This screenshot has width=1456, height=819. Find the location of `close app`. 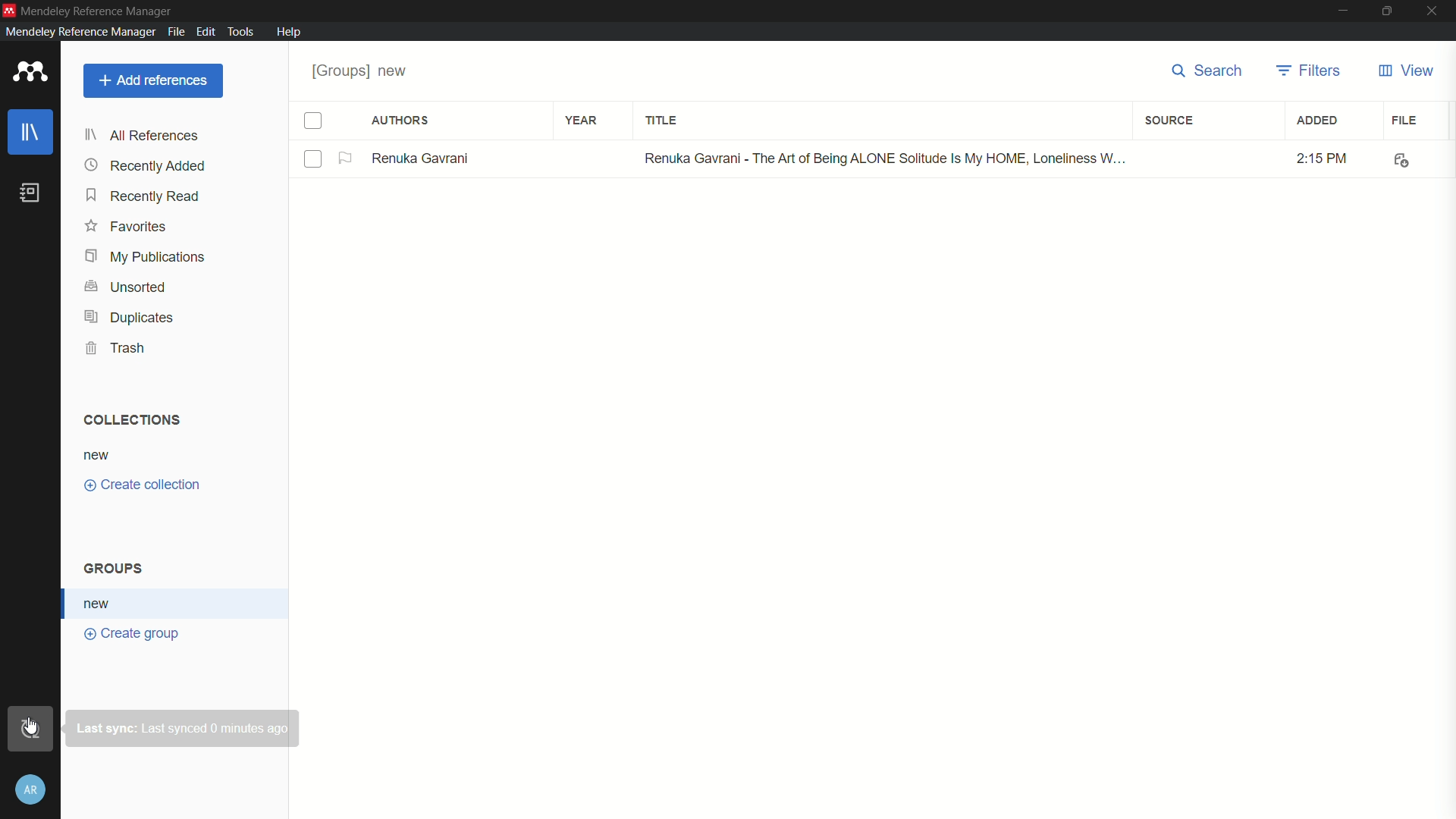

close app is located at coordinates (1435, 11).